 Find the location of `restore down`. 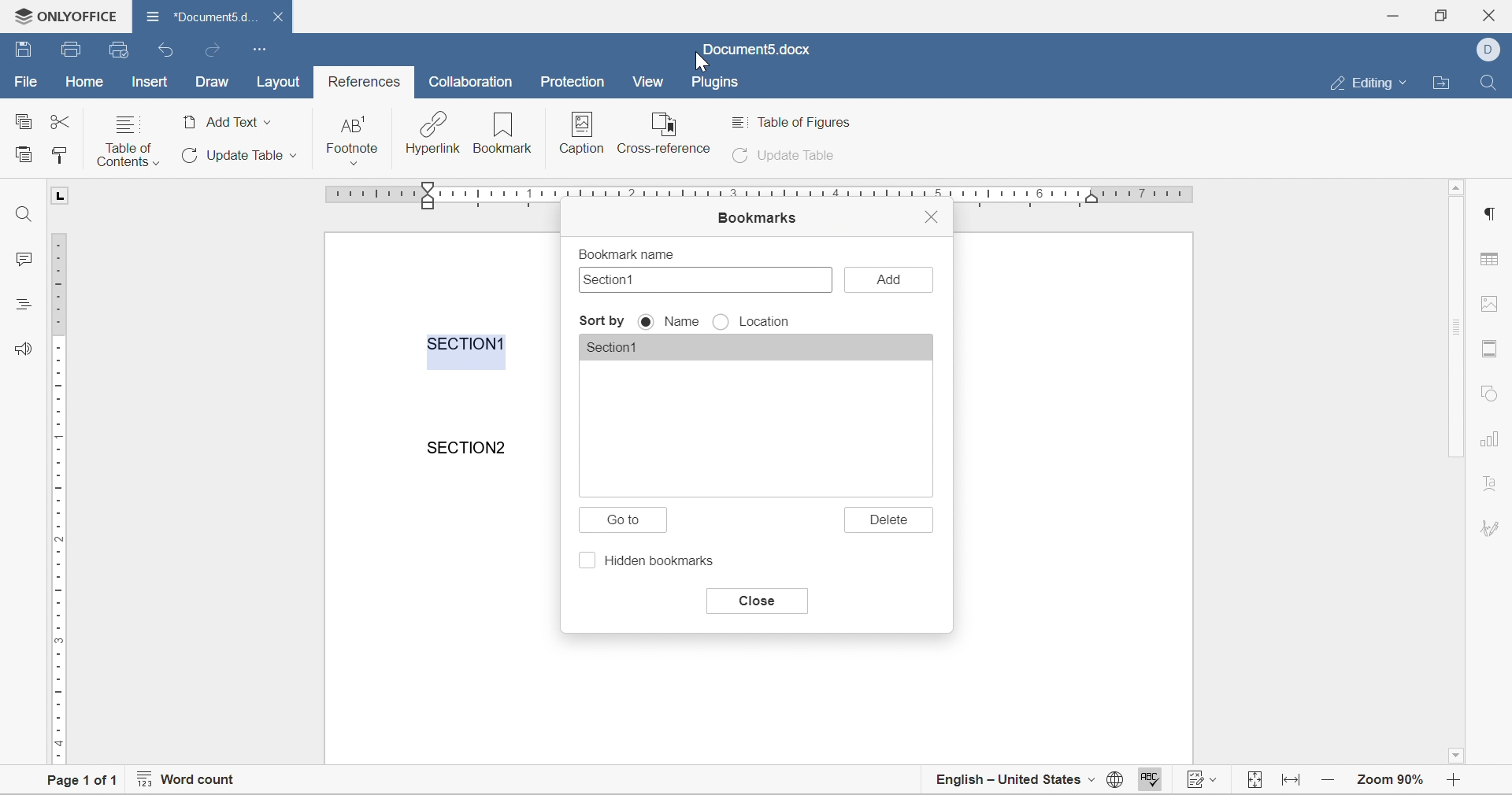

restore down is located at coordinates (1439, 14).